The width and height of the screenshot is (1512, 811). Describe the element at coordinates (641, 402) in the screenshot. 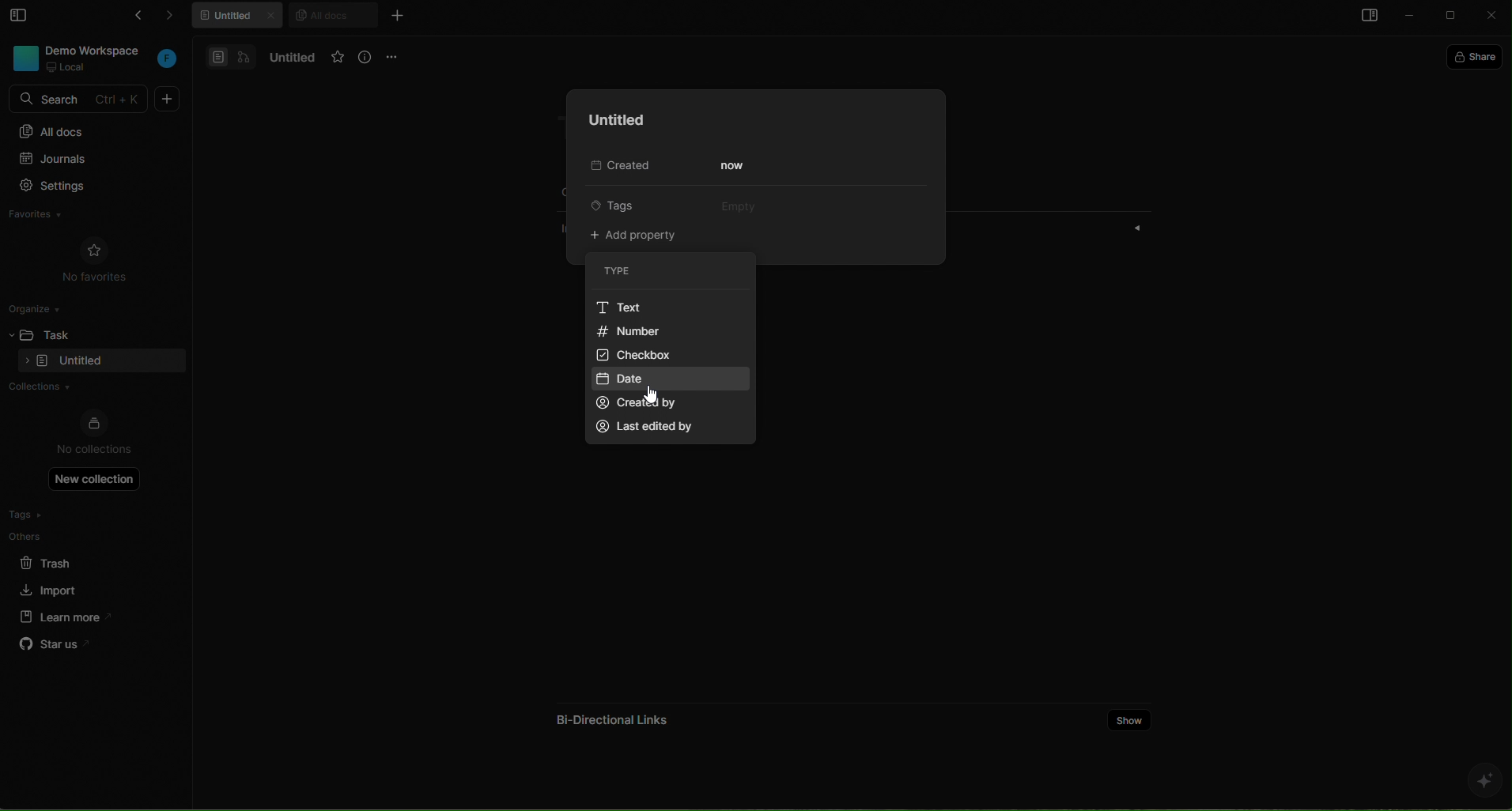

I see `created by` at that location.